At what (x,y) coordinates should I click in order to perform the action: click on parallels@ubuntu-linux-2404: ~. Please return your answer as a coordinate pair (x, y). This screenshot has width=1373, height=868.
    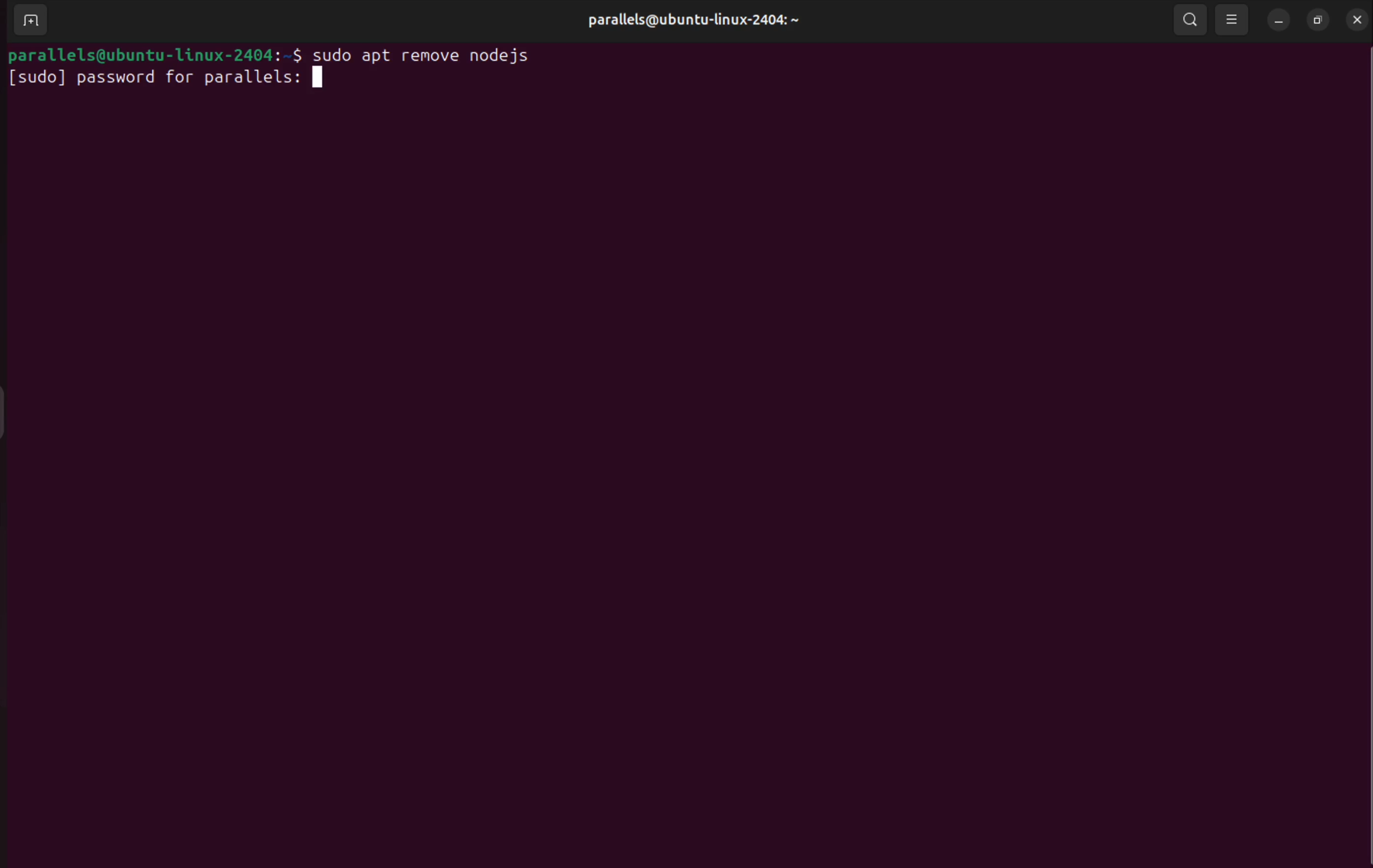
    Looking at the image, I should click on (692, 19).